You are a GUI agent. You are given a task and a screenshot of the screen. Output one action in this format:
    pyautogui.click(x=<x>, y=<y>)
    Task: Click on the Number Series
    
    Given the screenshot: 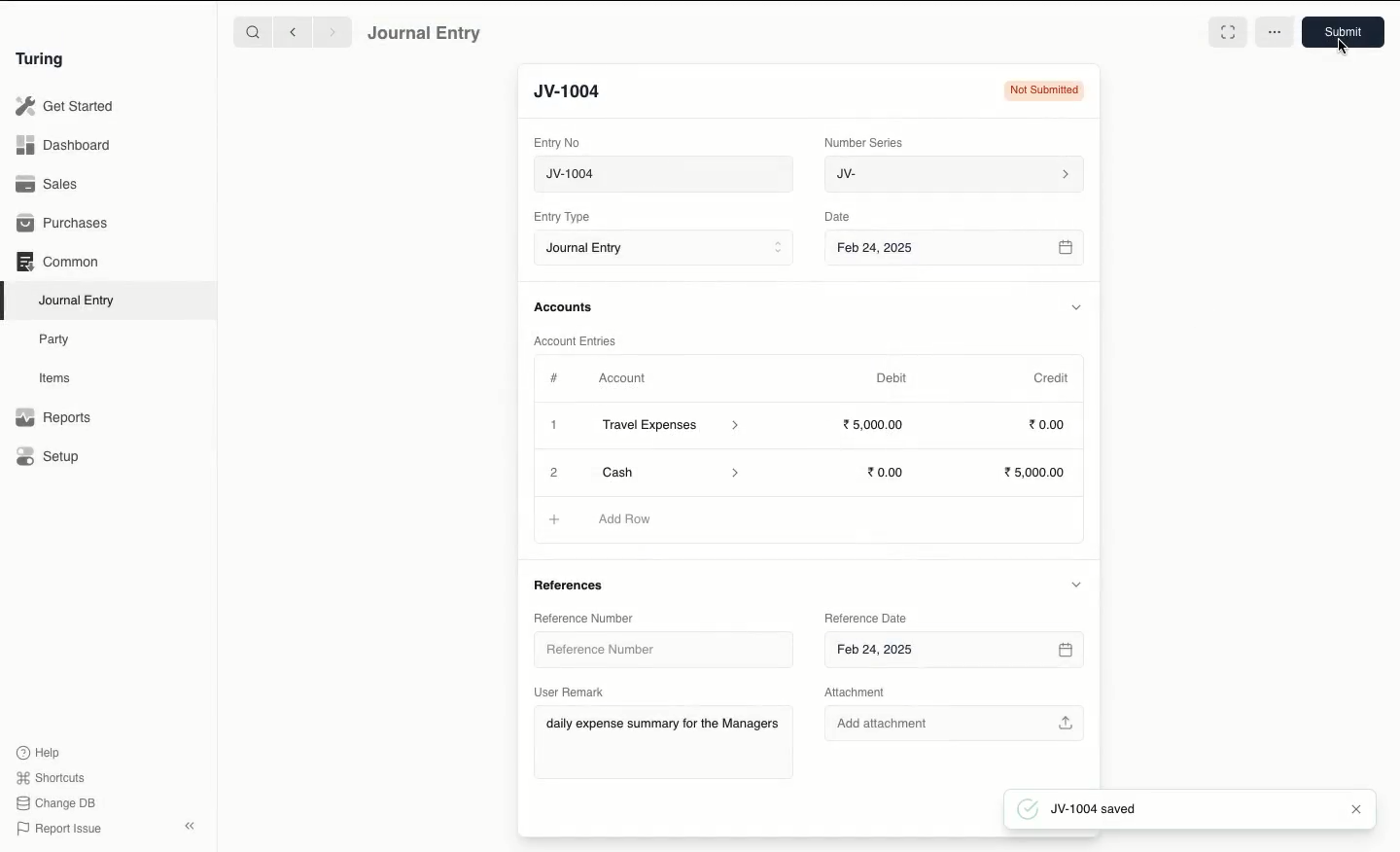 What is the action you would take?
    pyautogui.click(x=867, y=143)
    